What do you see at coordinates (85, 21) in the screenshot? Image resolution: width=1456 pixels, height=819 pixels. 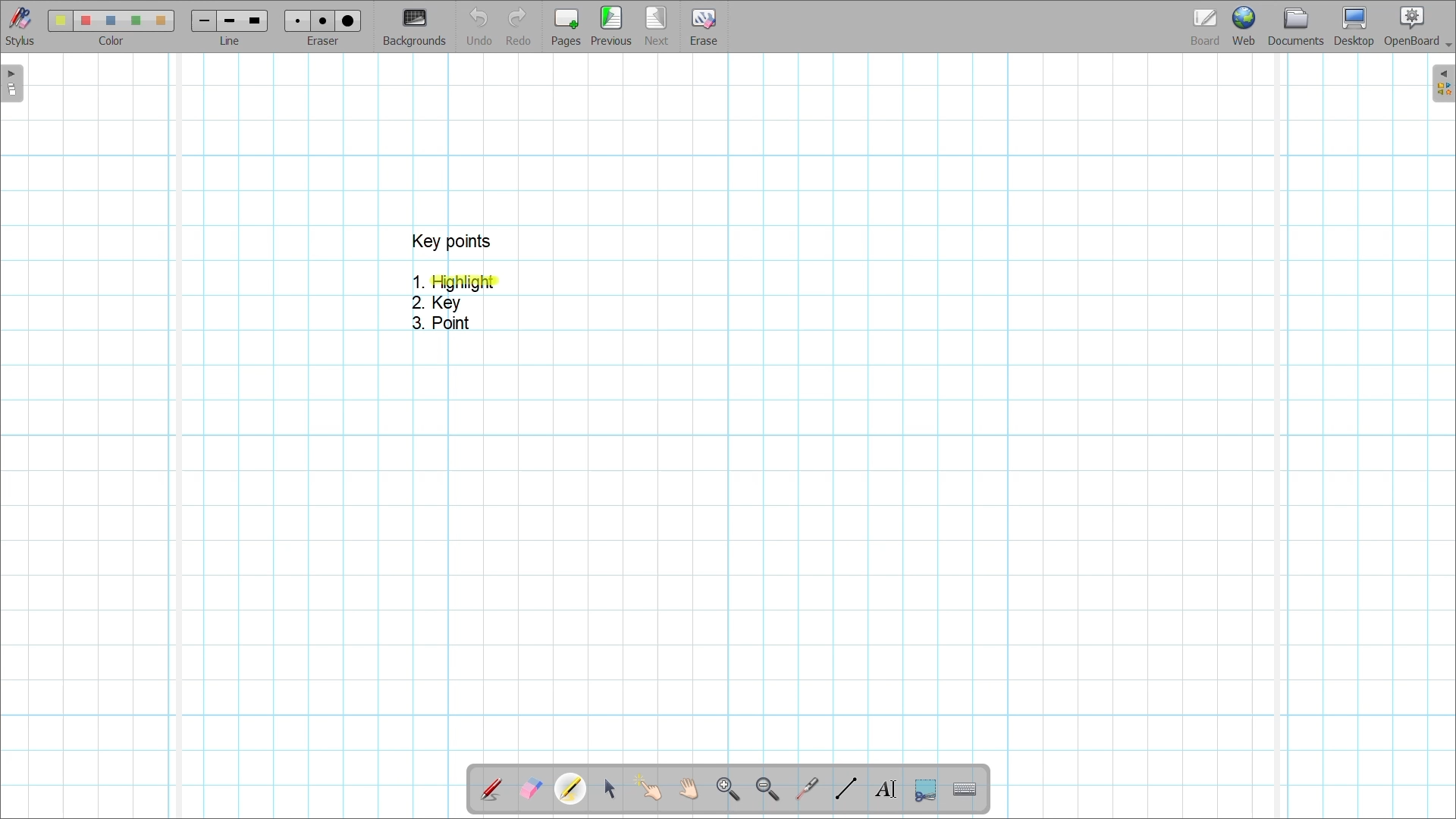 I see `color 2` at bounding box center [85, 21].